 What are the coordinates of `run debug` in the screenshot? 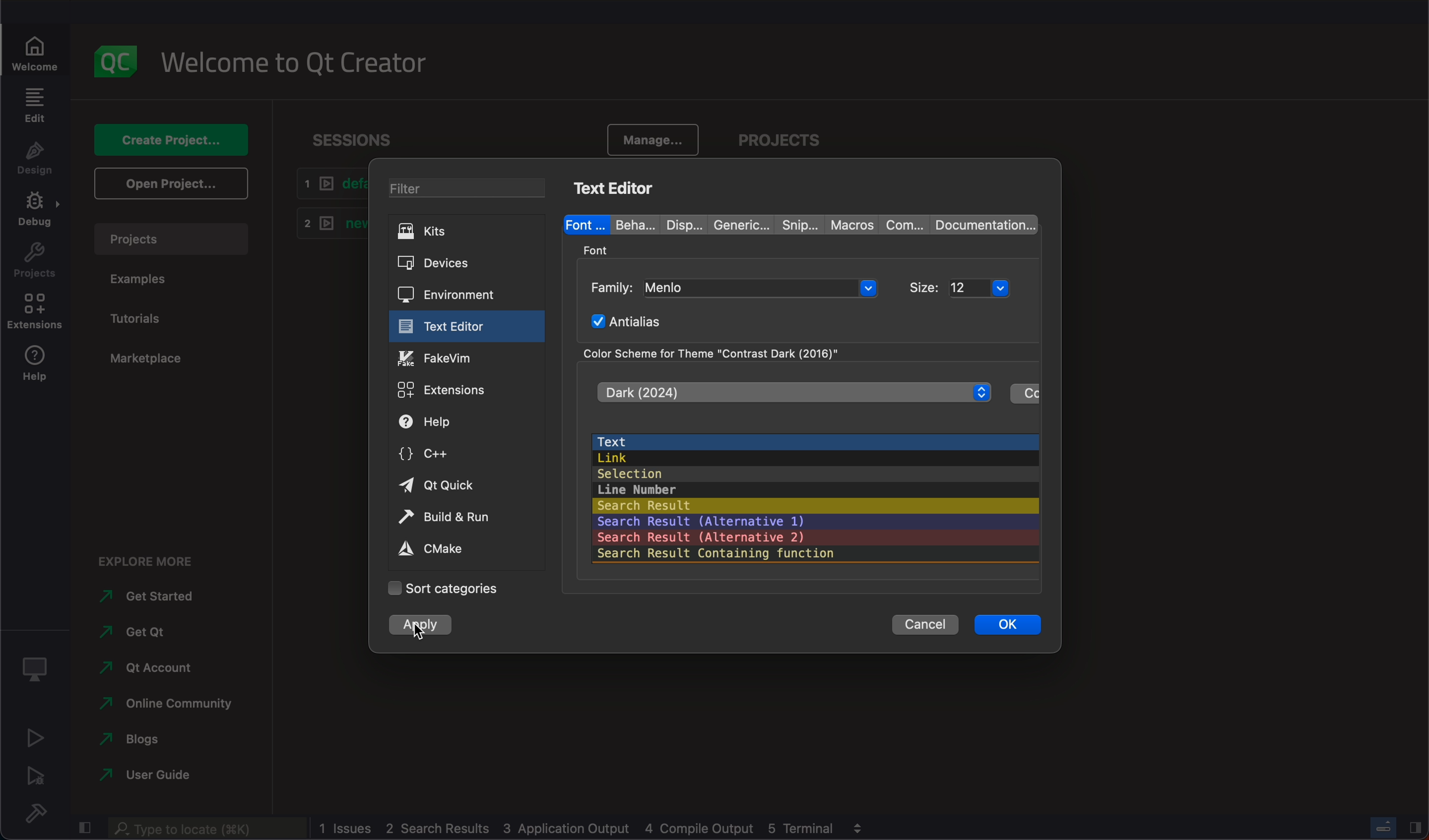 It's located at (35, 777).